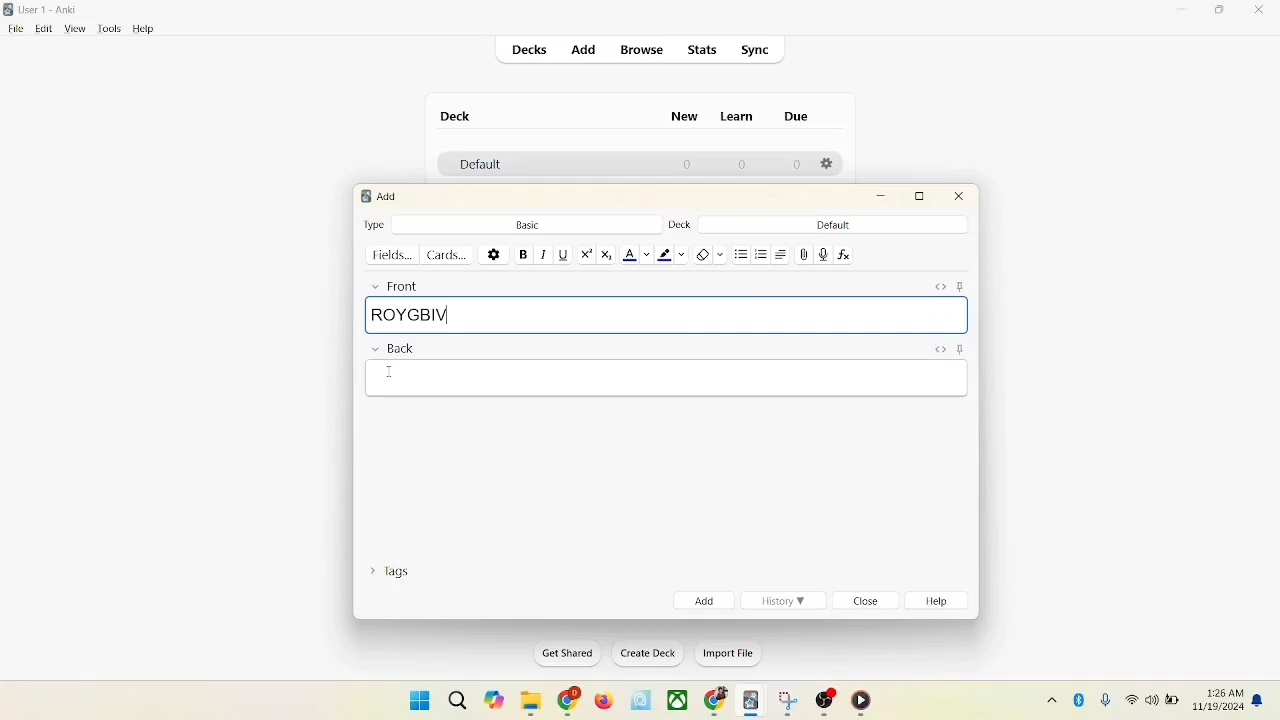 This screenshot has height=720, width=1280. I want to click on microphone, so click(1102, 698).